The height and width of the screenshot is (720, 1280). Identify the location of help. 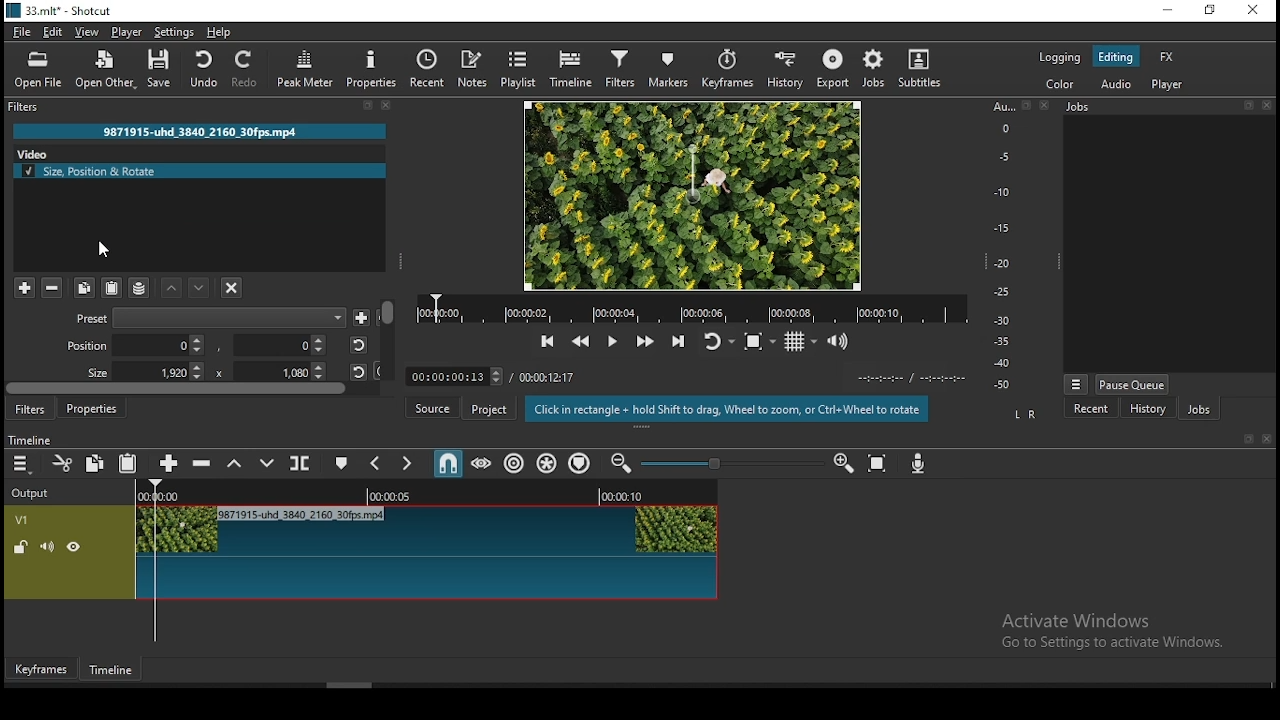
(220, 32).